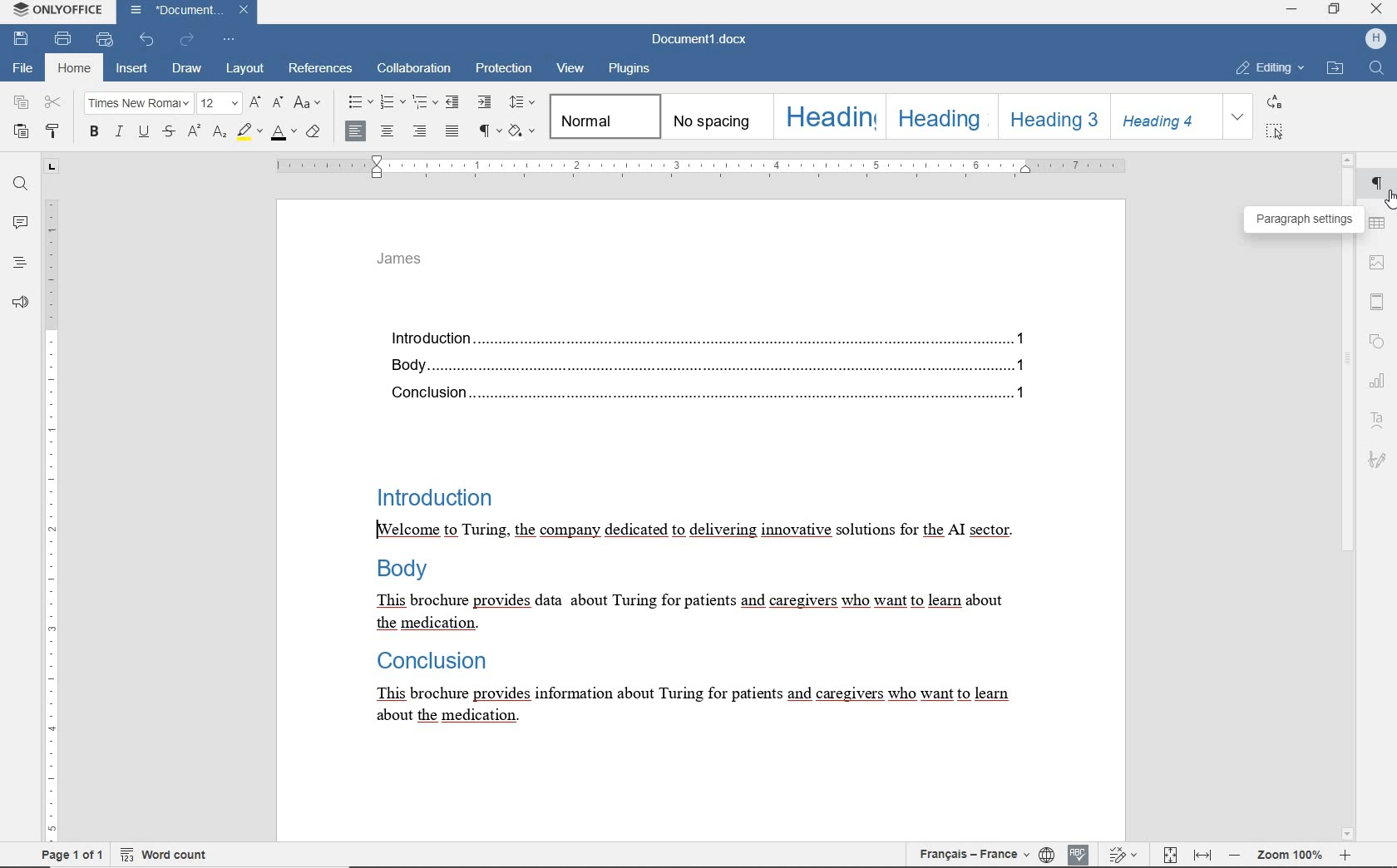 The width and height of the screenshot is (1397, 868). What do you see at coordinates (714, 393) in the screenshot?
I see `Conclusion` at bounding box center [714, 393].